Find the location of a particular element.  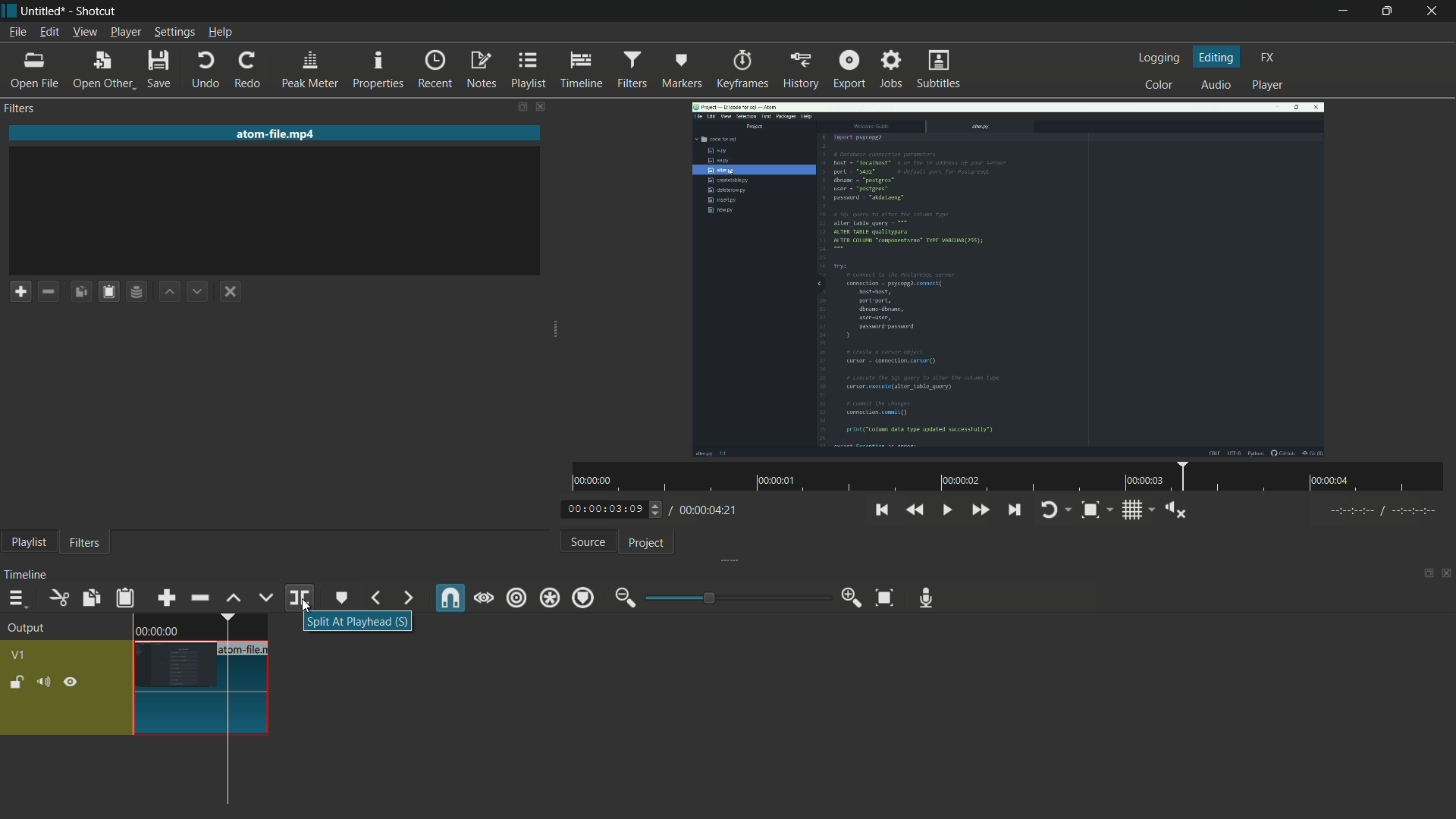

maximize is located at coordinates (1389, 11).